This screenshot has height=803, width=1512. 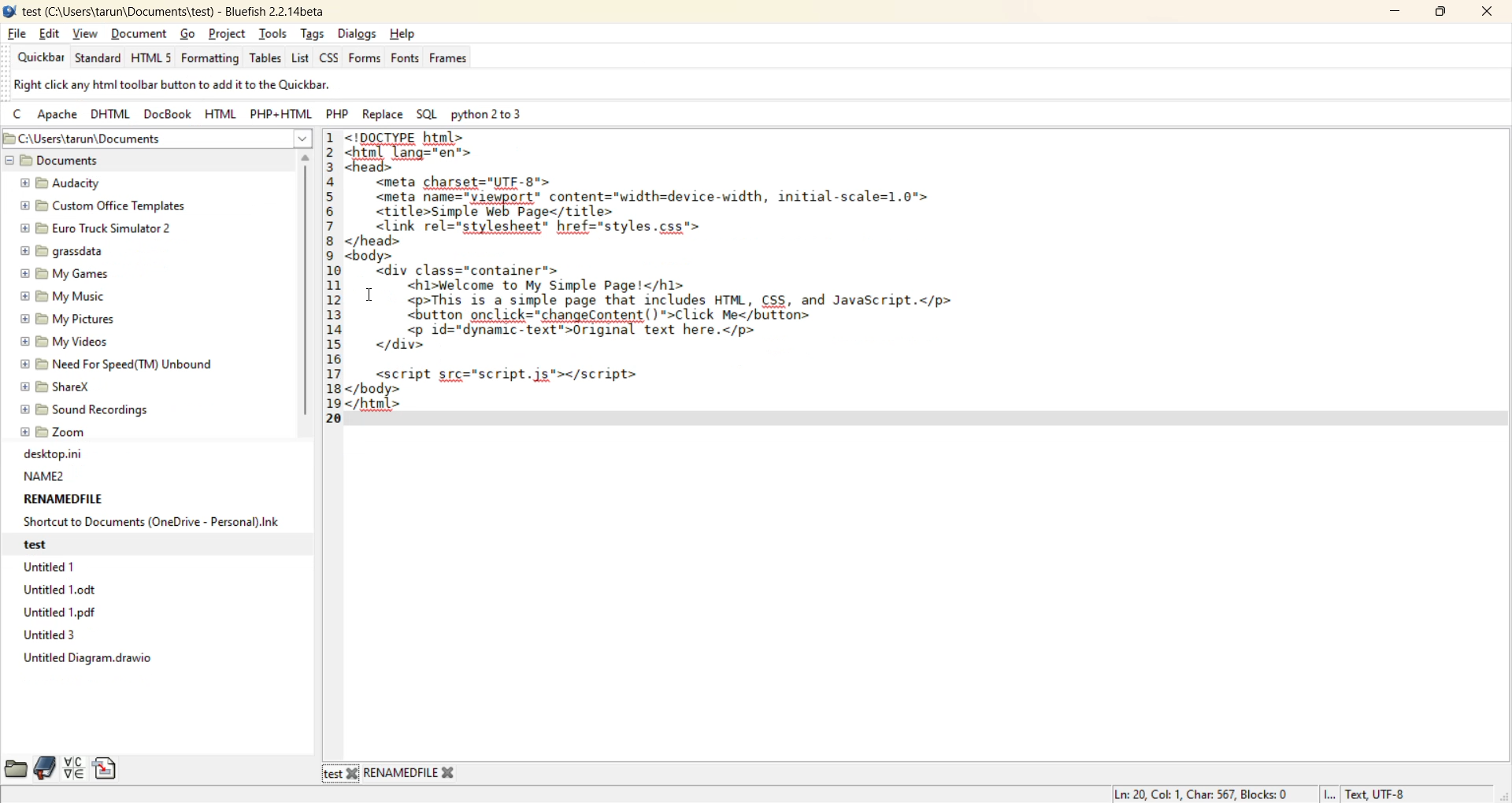 I want to click on charmap, so click(x=76, y=770).